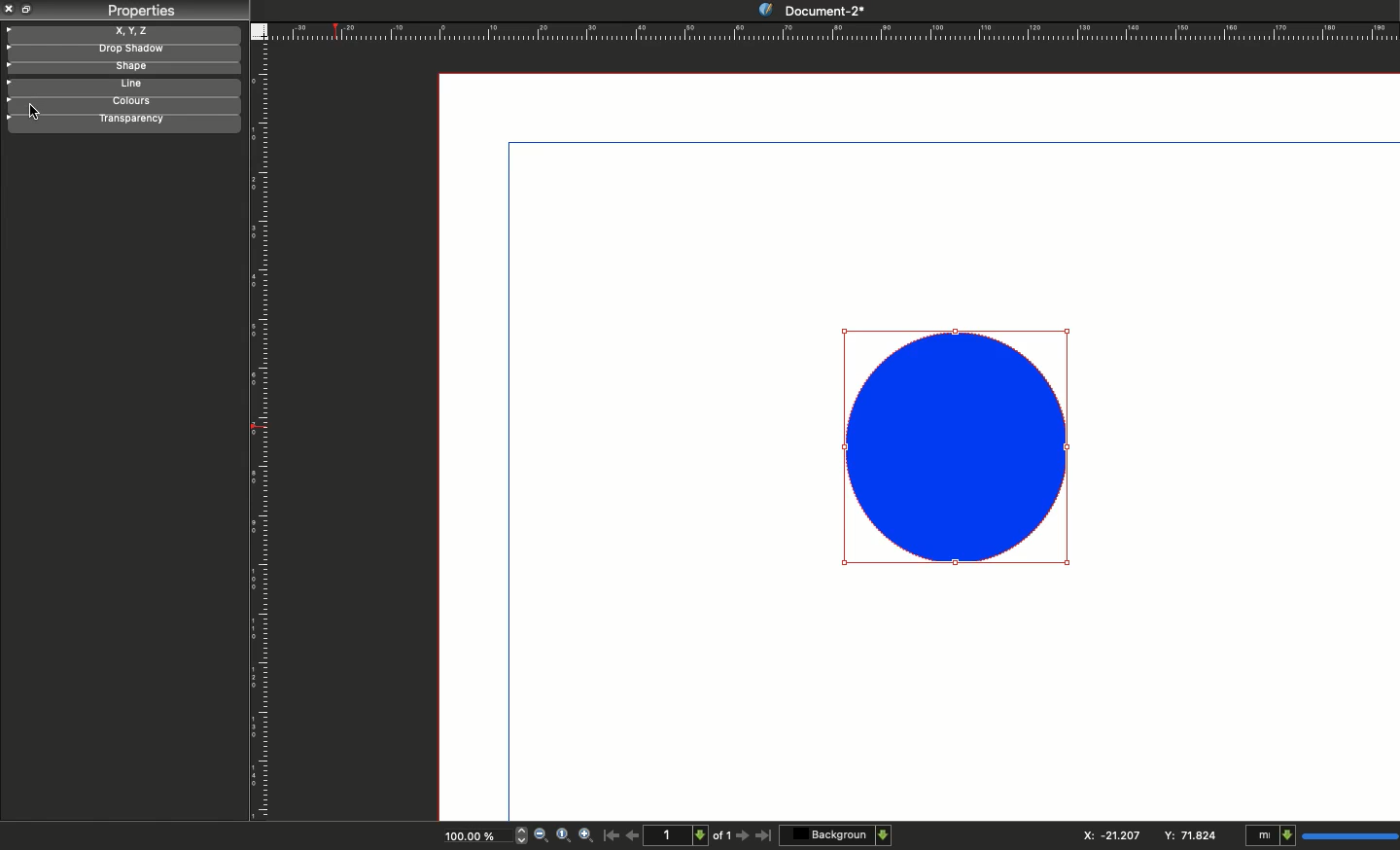 This screenshot has width=1400, height=850. What do you see at coordinates (541, 836) in the screenshot?
I see `Zoom out` at bounding box center [541, 836].